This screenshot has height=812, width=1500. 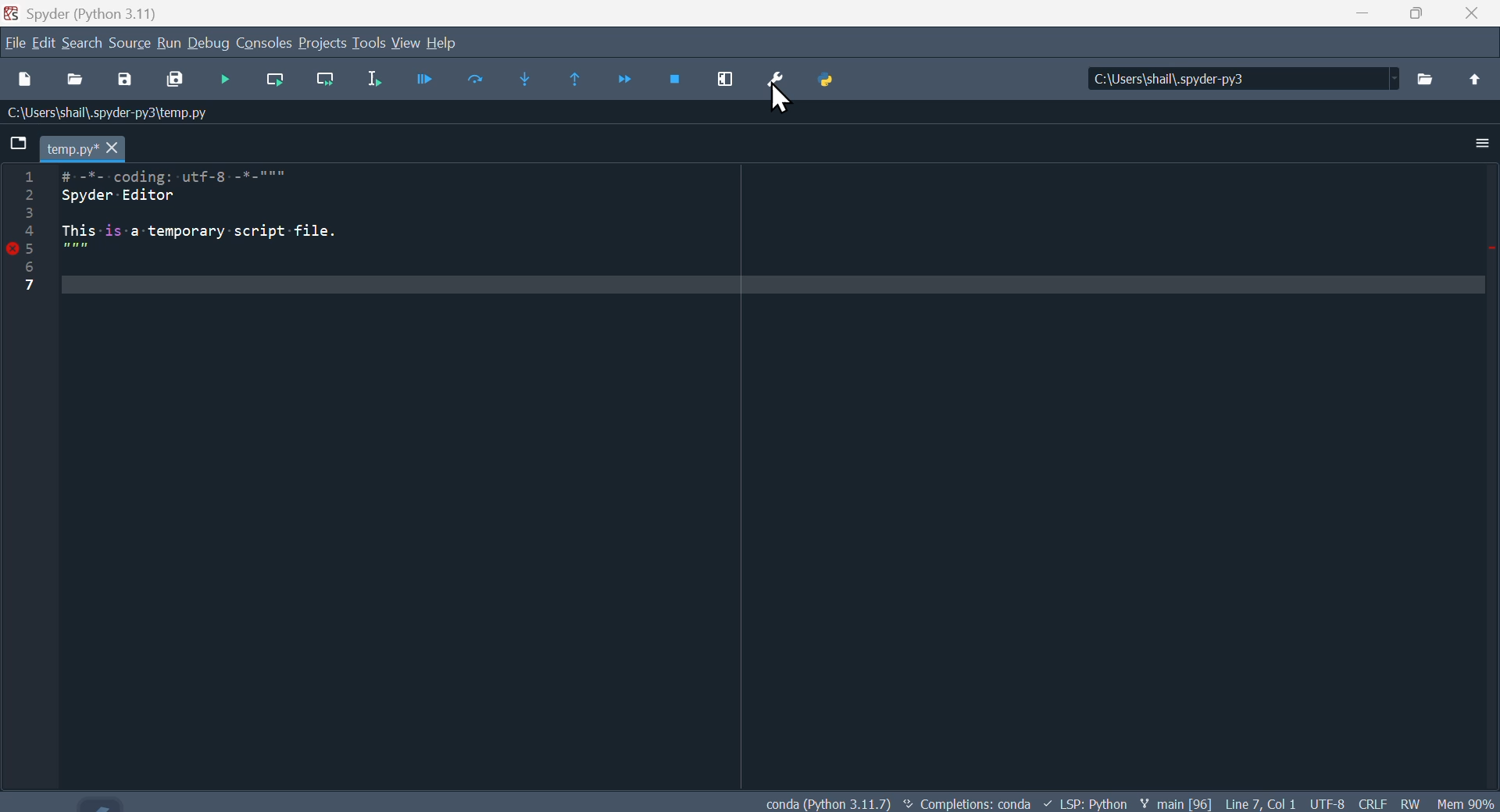 What do you see at coordinates (229, 225) in the screenshot?
I see `1 # -%--coding: utf-8 -*-"""
> Spyder Editor

3

+ This is-a temporary -script-file.
ST

5

7` at bounding box center [229, 225].